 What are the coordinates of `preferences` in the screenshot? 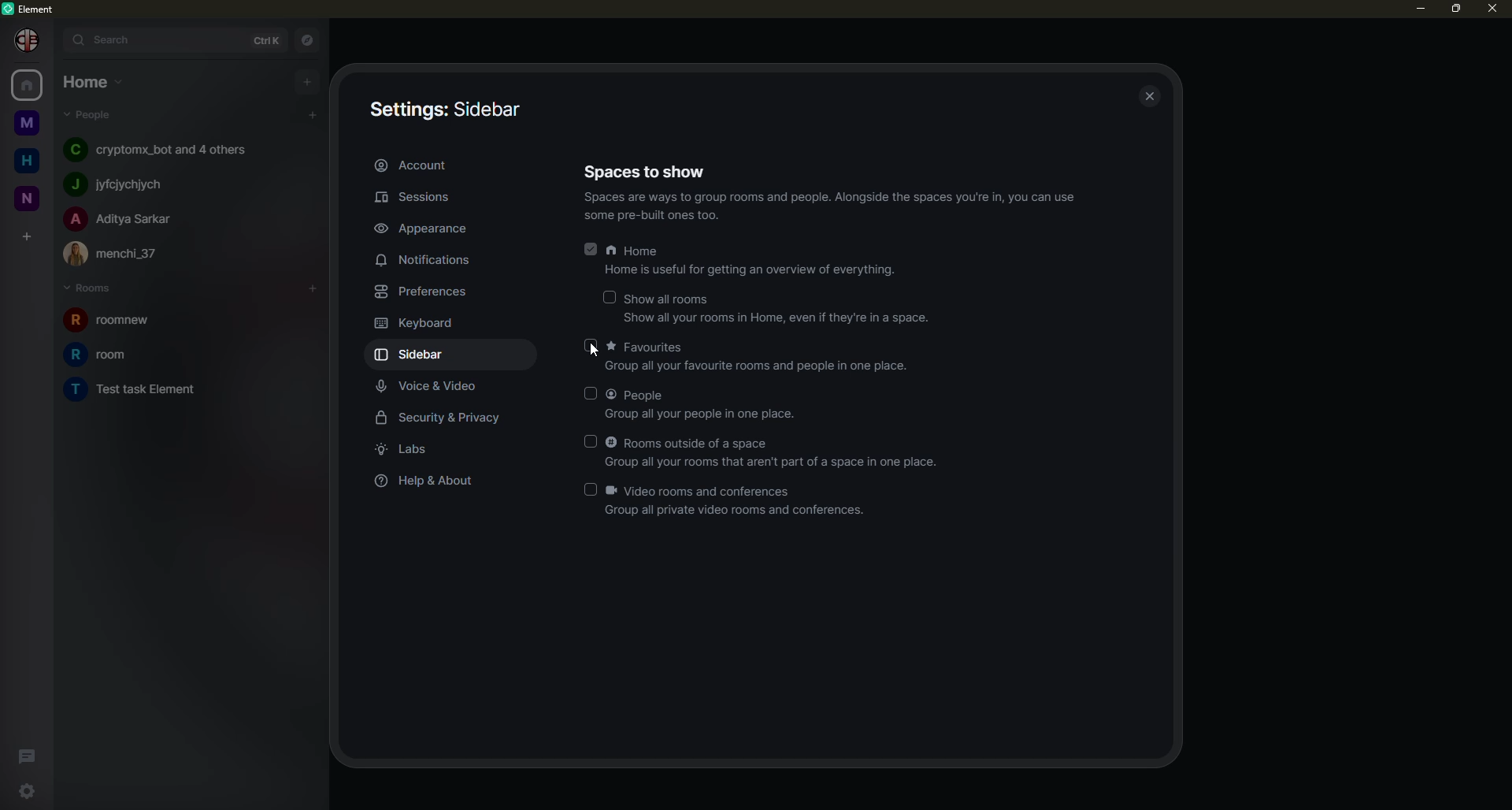 It's located at (421, 292).